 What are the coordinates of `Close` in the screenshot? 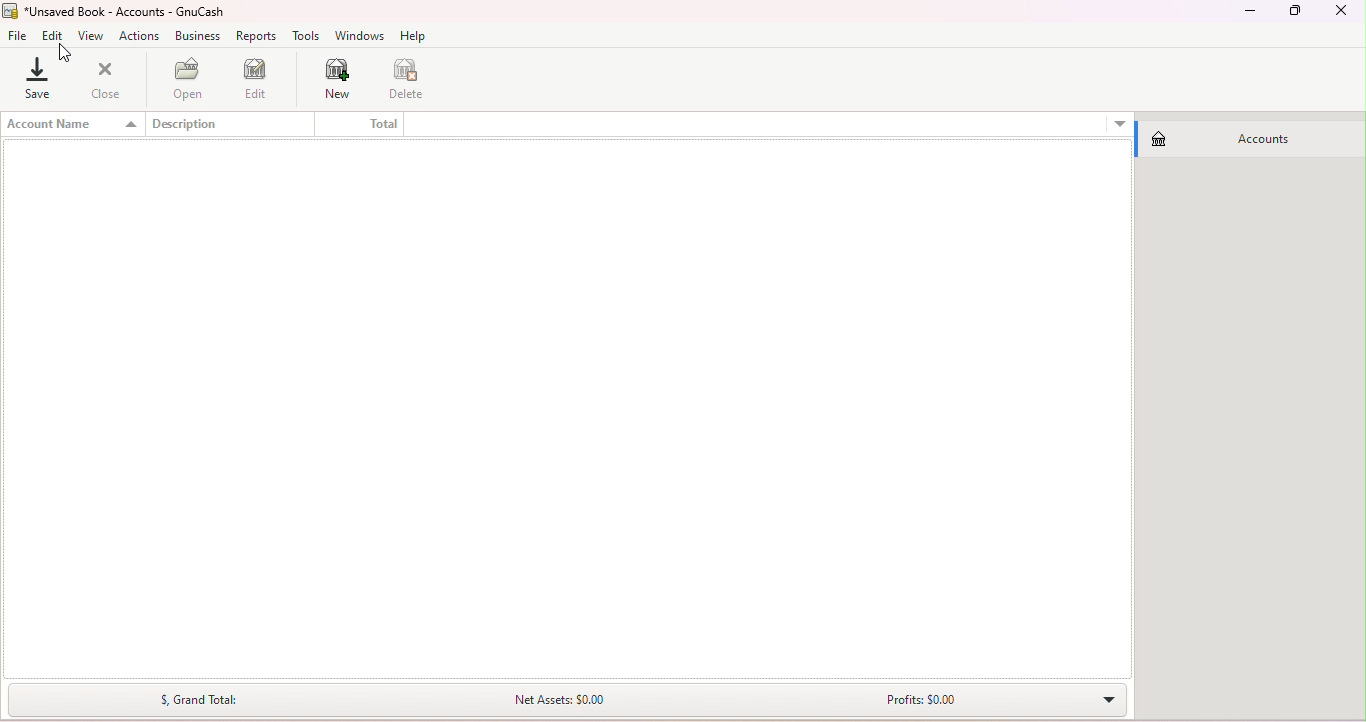 It's located at (1341, 13).